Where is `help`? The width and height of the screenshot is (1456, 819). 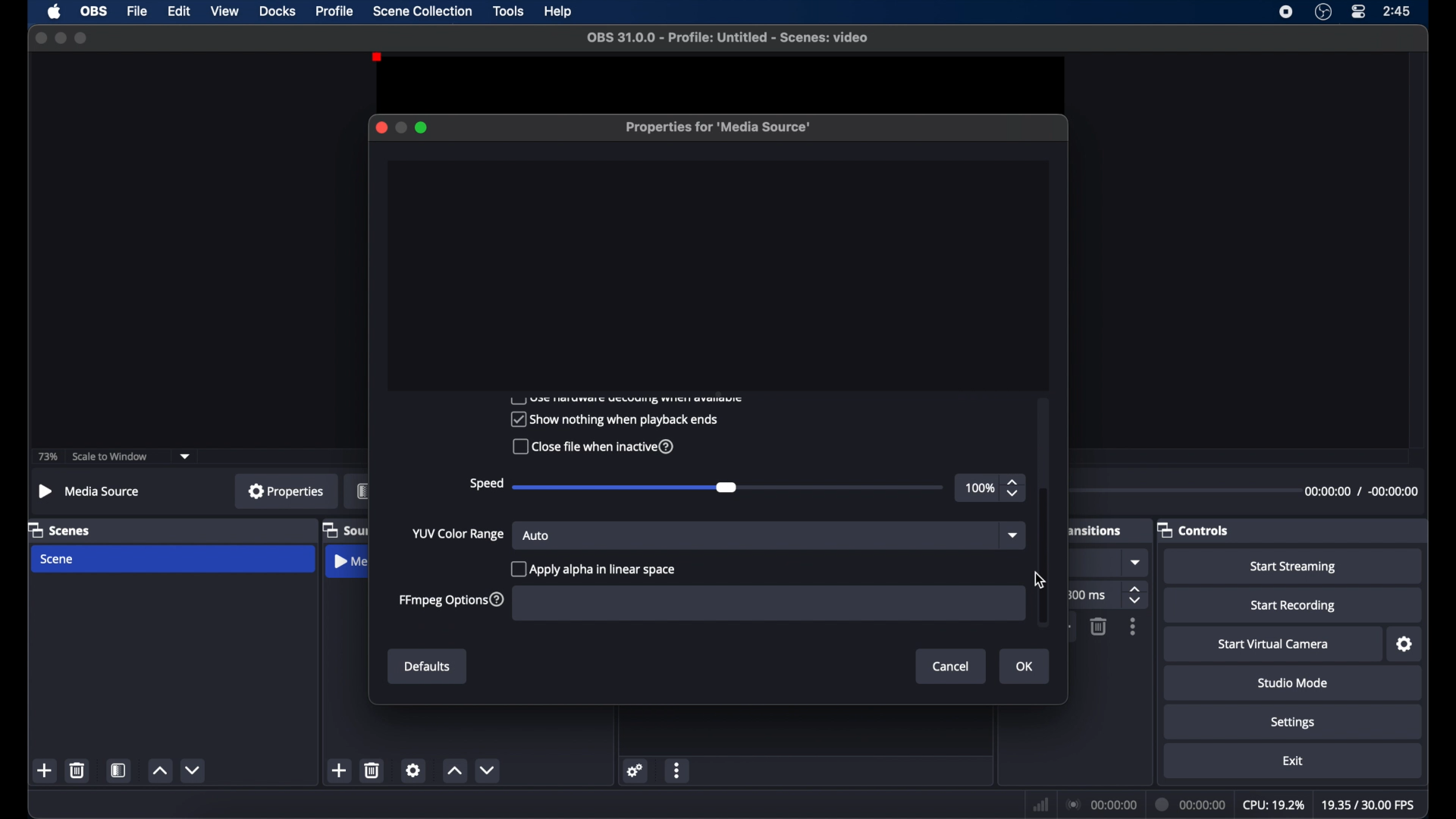 help is located at coordinates (559, 12).